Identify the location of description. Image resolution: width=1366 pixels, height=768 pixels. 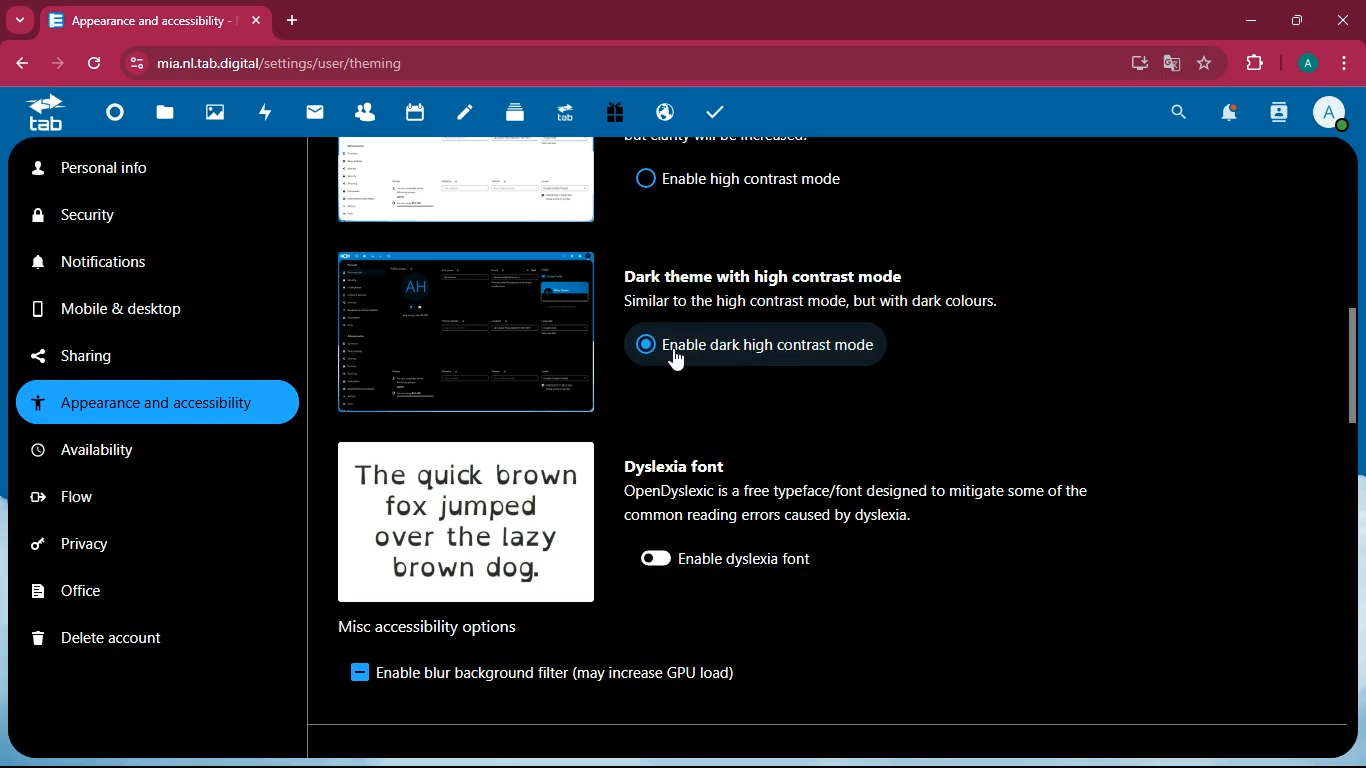
(866, 502).